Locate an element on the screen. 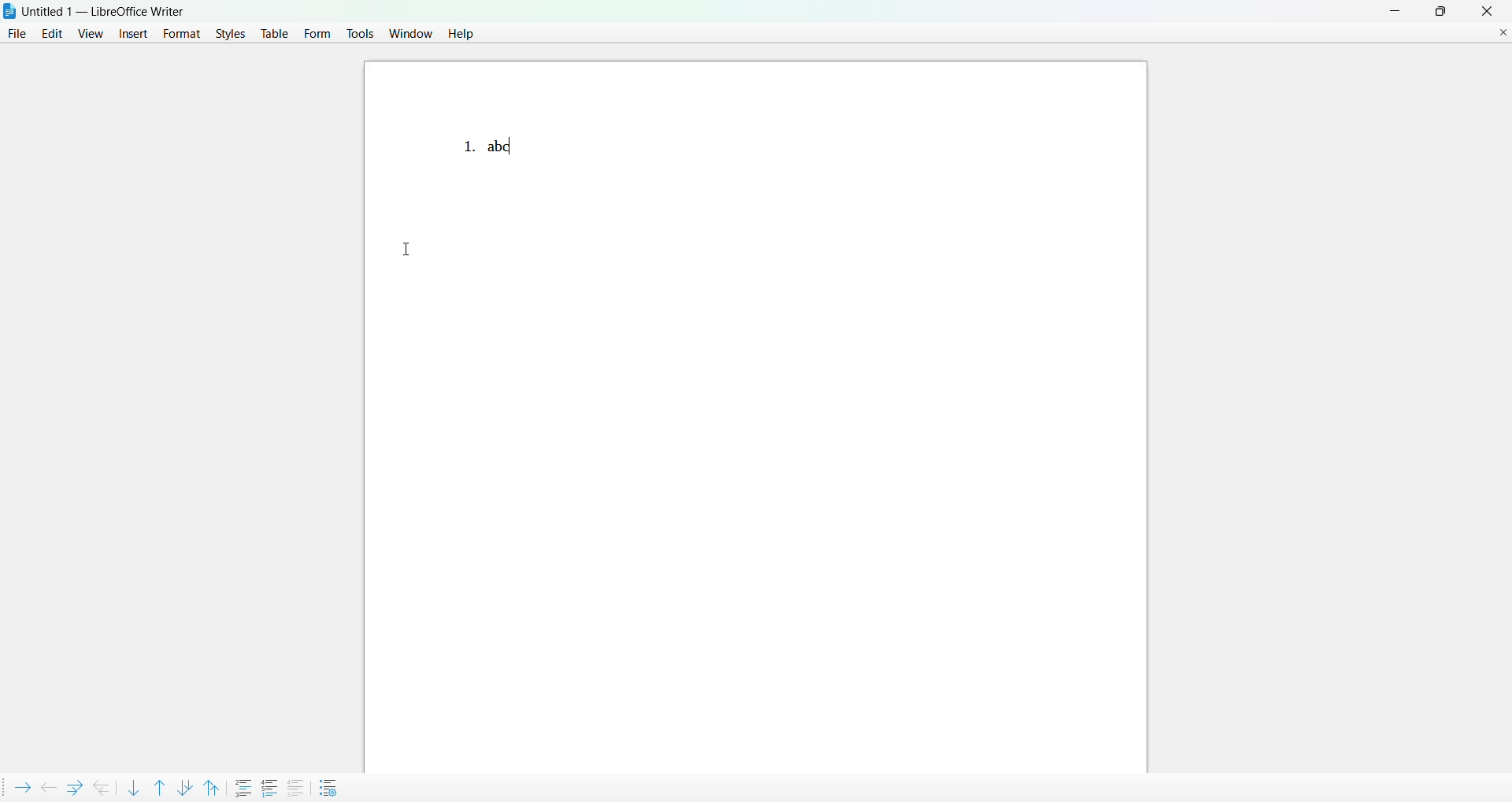 This screenshot has width=1512, height=802. add to list is located at coordinates (295, 787).